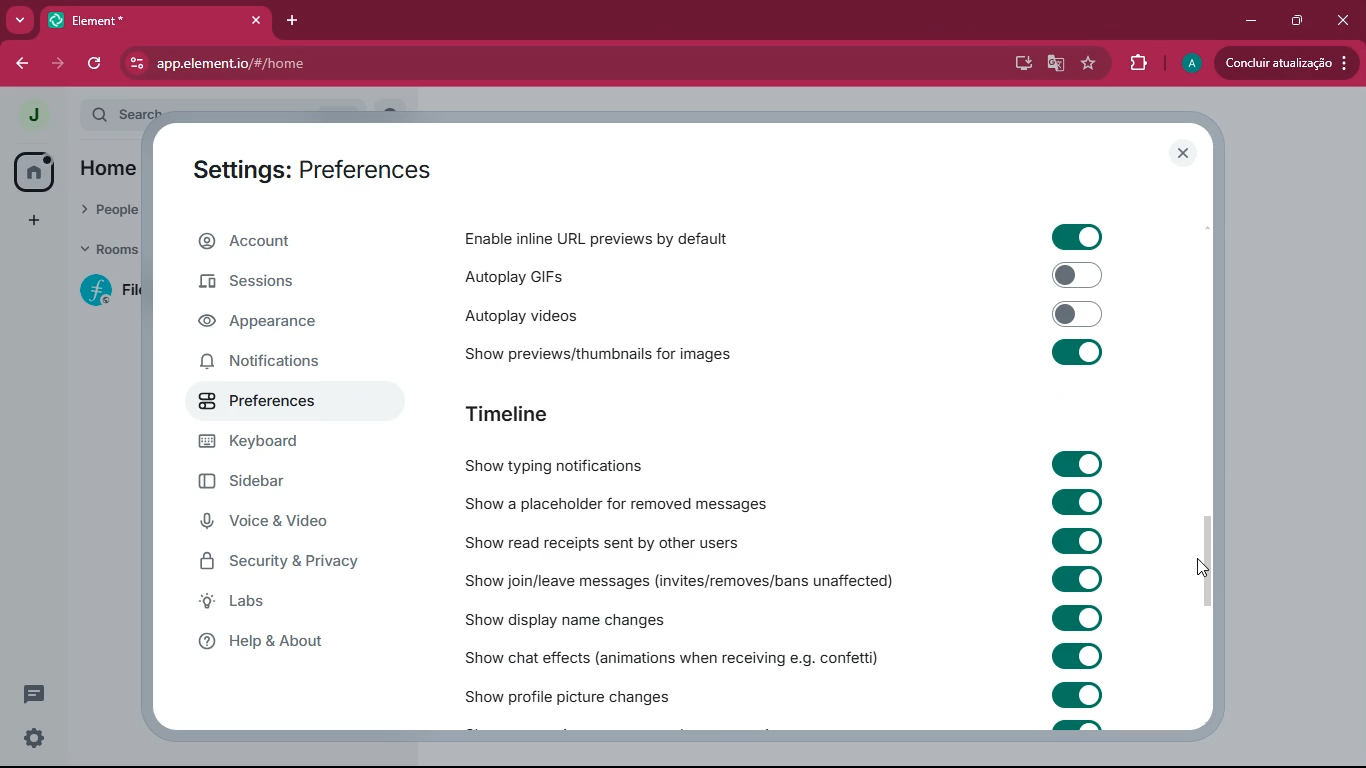 The height and width of the screenshot is (768, 1366). What do you see at coordinates (1078, 464) in the screenshot?
I see `toggle on/off` at bounding box center [1078, 464].